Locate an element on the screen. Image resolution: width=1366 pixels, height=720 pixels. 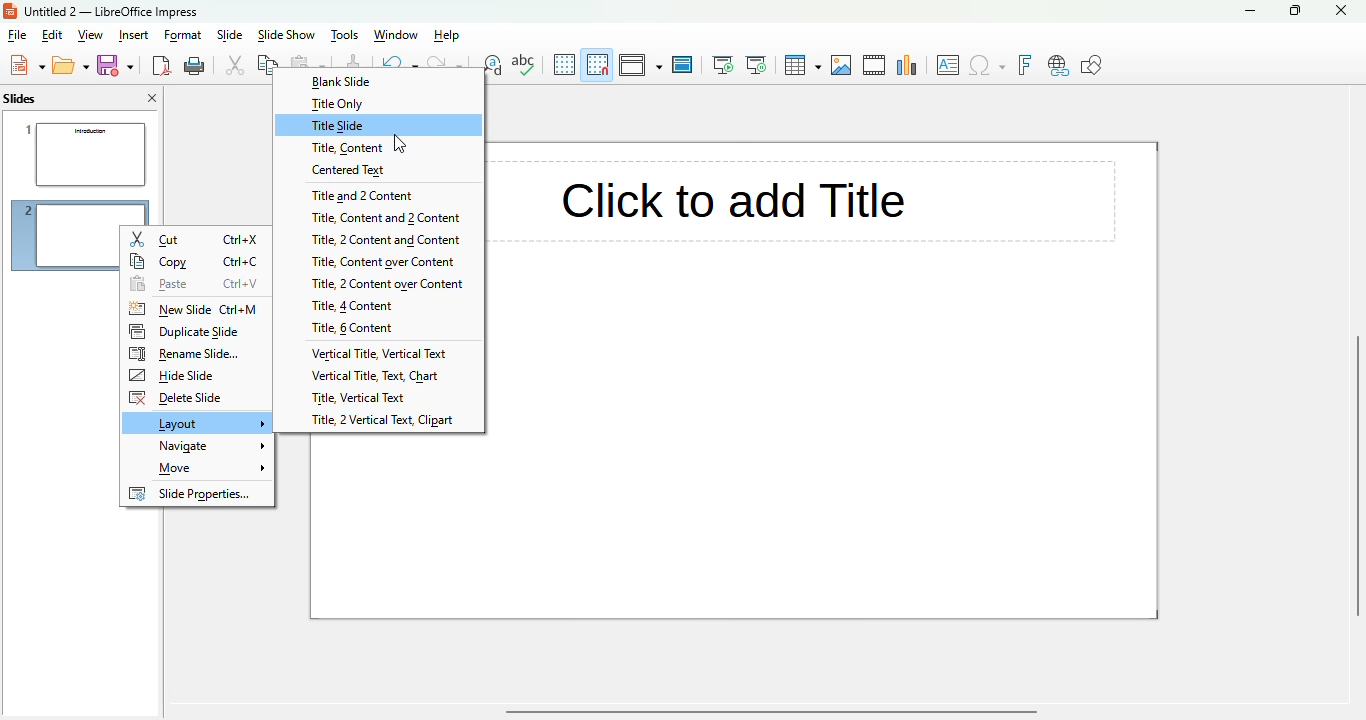
display grid is located at coordinates (564, 64).